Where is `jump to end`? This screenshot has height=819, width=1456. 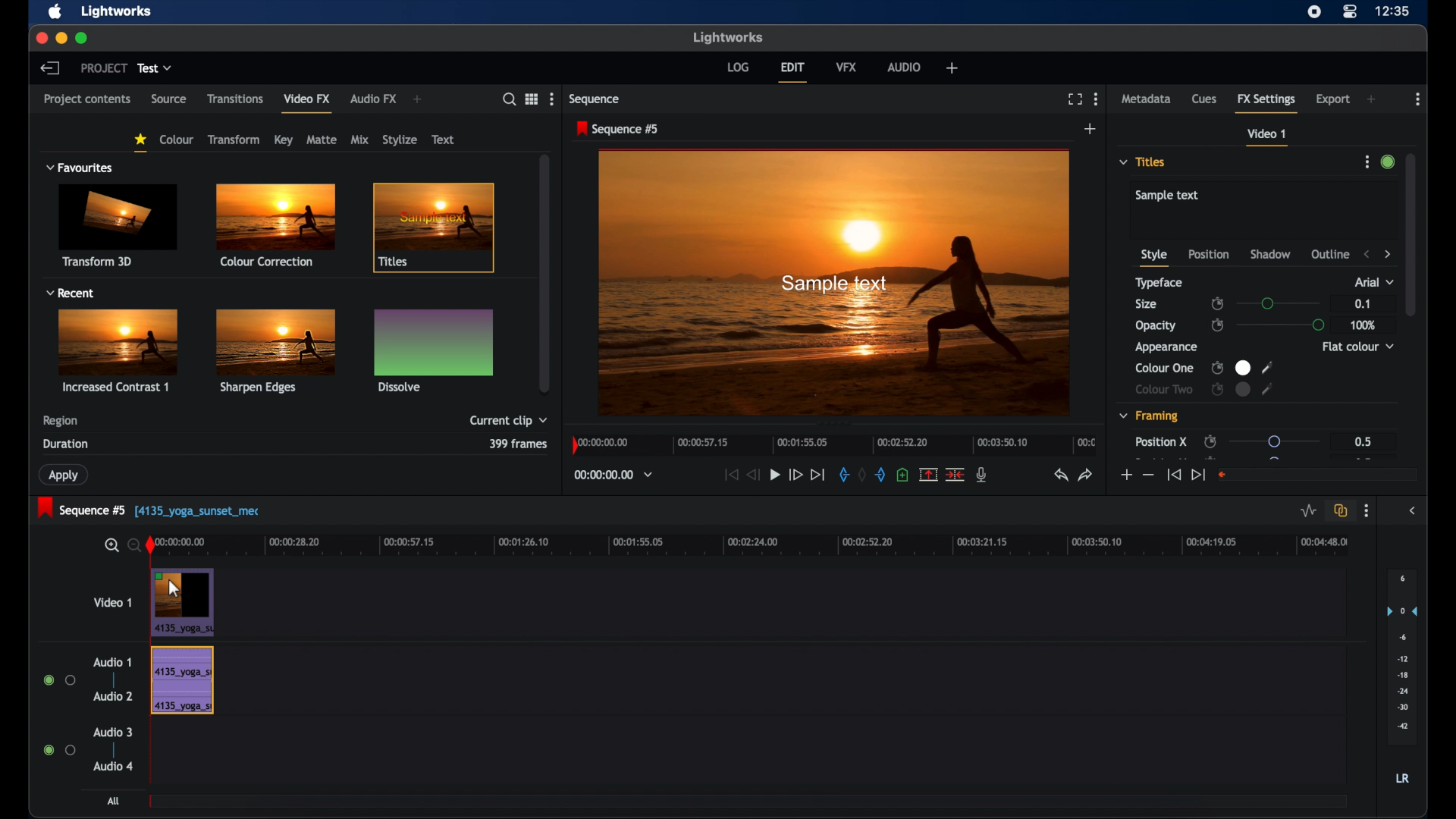
jump to end is located at coordinates (817, 474).